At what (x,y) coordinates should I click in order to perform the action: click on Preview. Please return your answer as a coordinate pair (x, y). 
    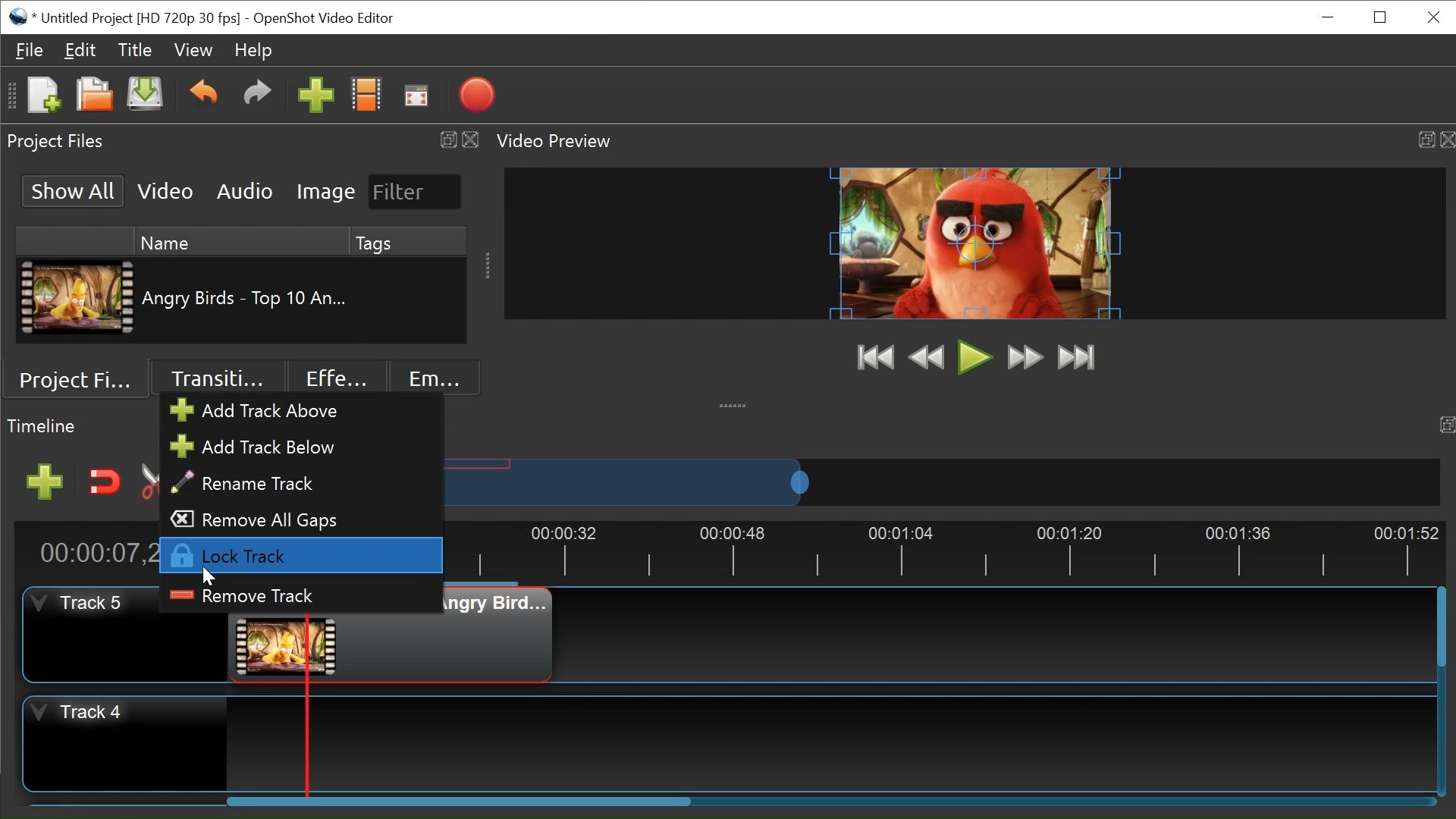
    Looking at the image, I should click on (927, 357).